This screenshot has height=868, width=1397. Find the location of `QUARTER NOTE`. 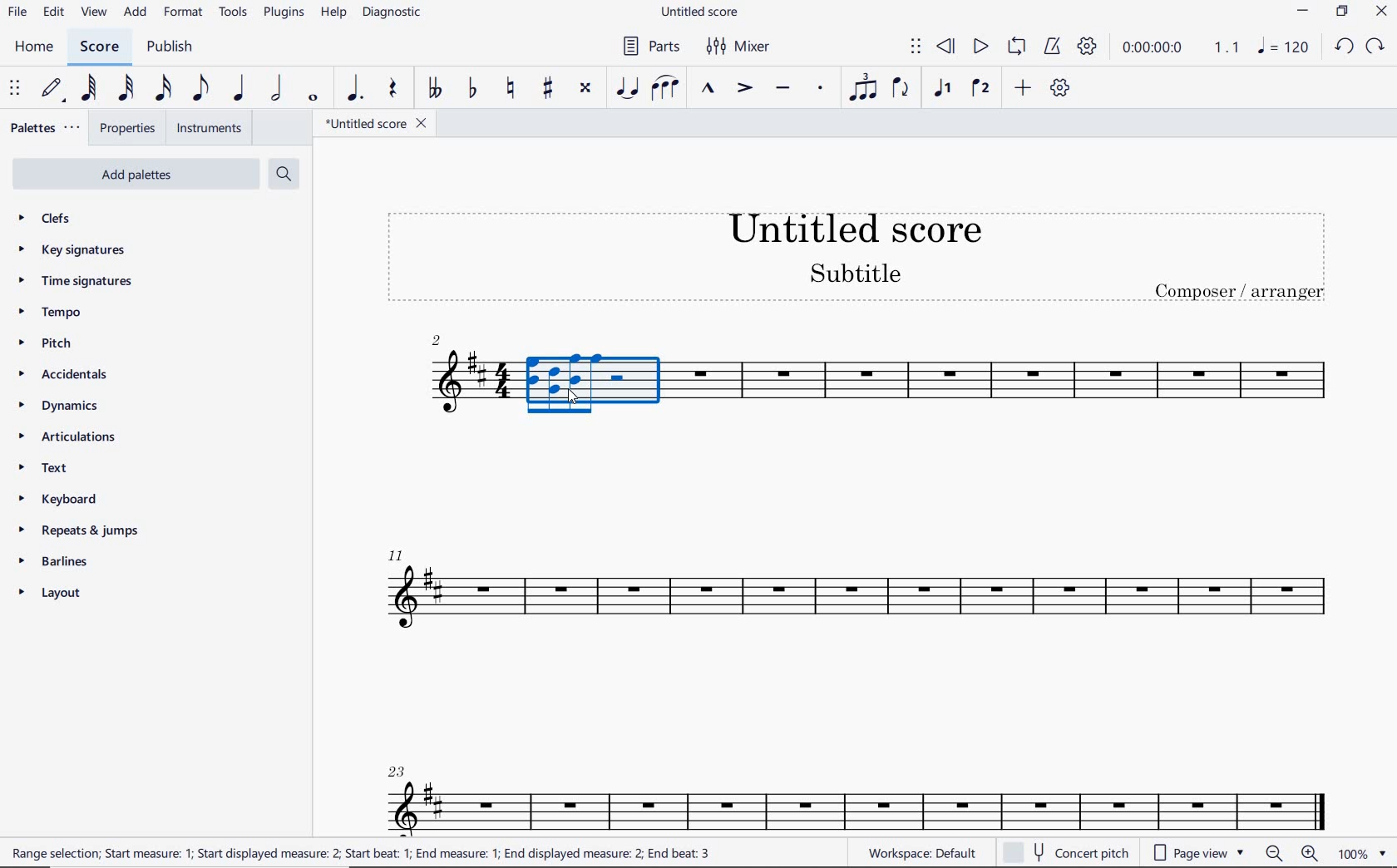

QUARTER NOTE is located at coordinates (239, 89).